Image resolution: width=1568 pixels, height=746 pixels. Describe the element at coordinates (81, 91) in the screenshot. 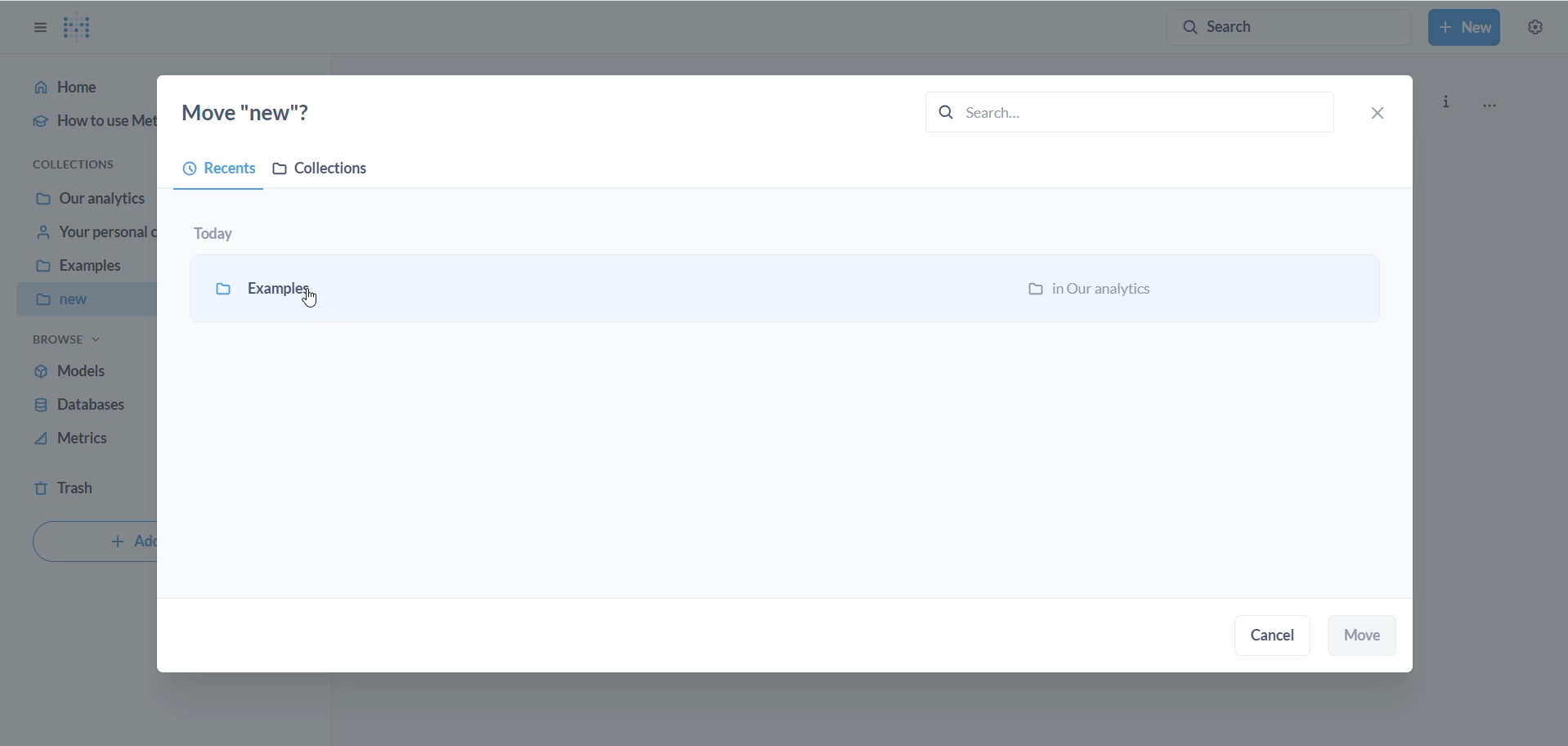

I see `home` at that location.